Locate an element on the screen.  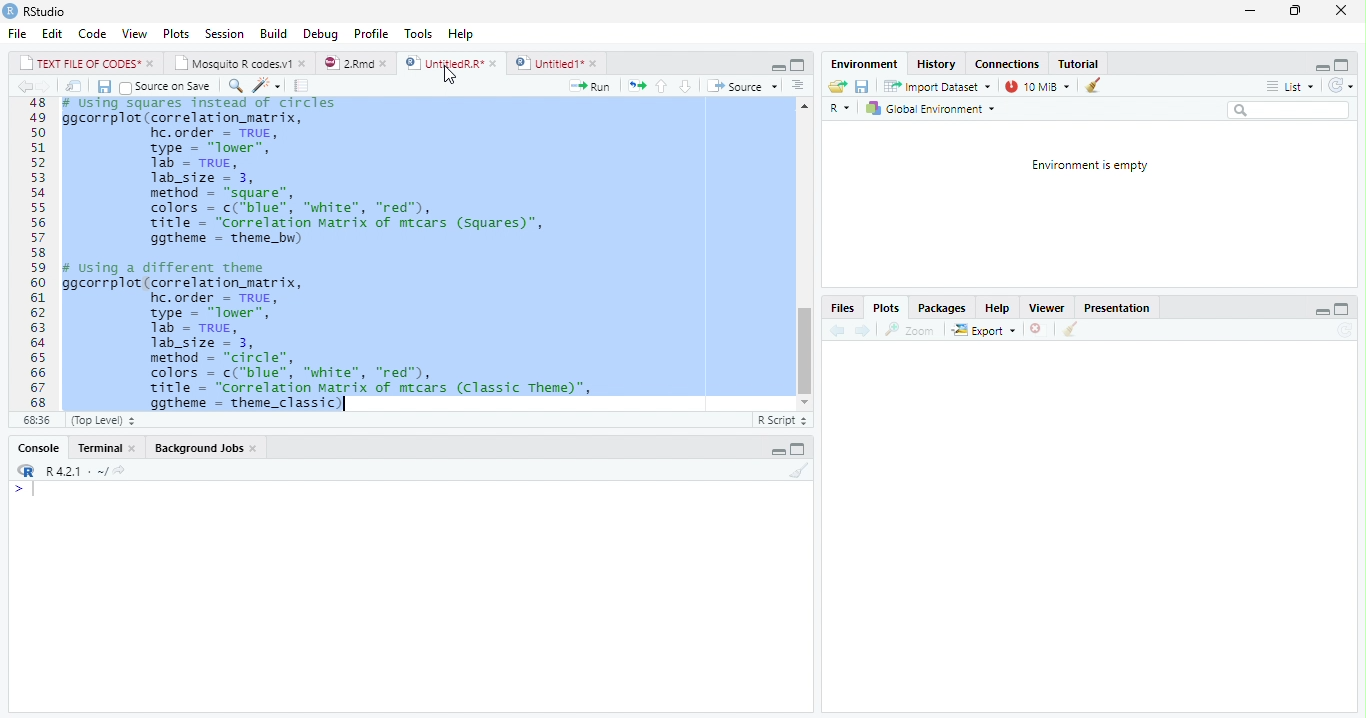
Plots is located at coordinates (888, 309).